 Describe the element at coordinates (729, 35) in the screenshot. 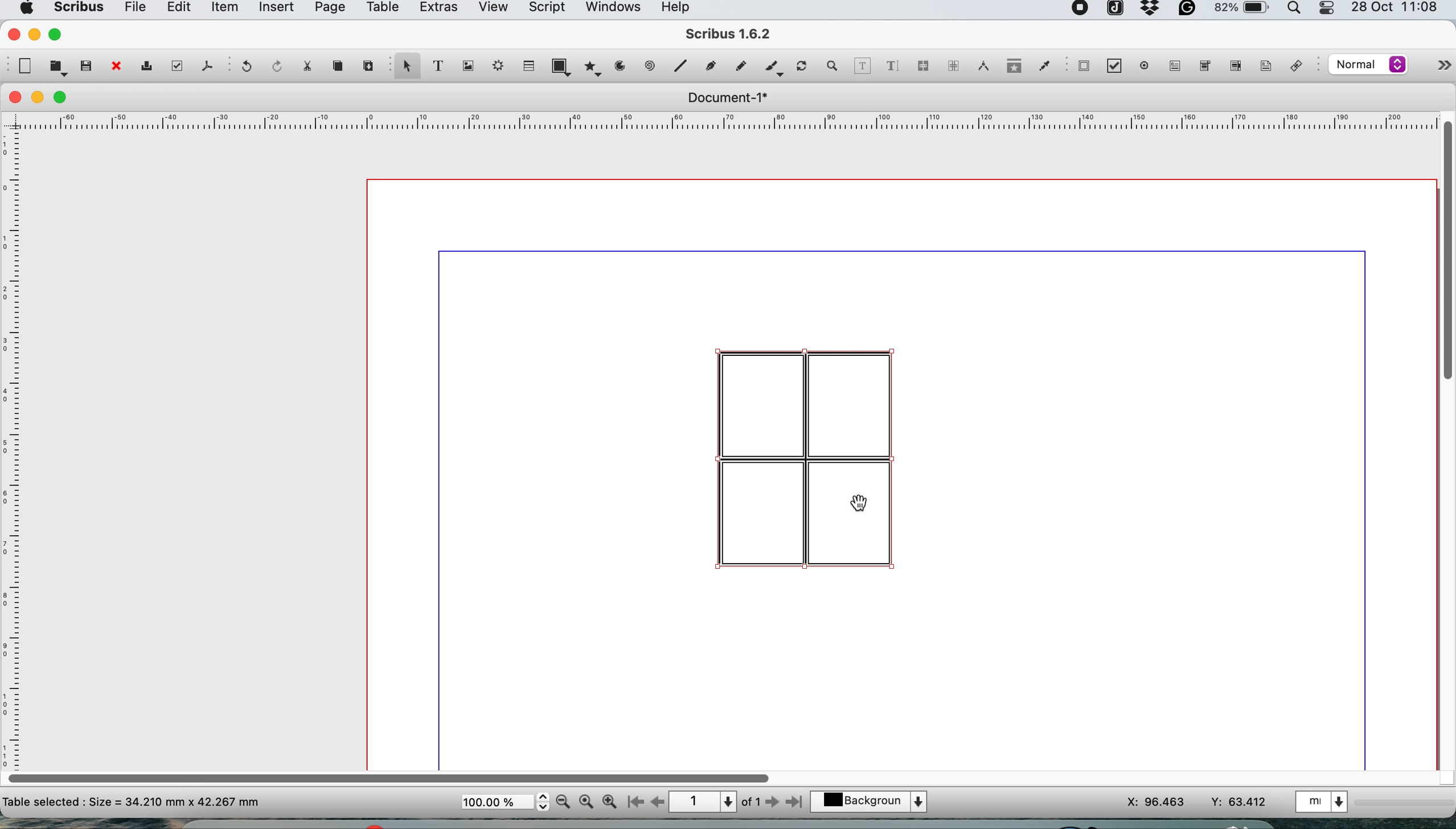

I see `scribus` at that location.